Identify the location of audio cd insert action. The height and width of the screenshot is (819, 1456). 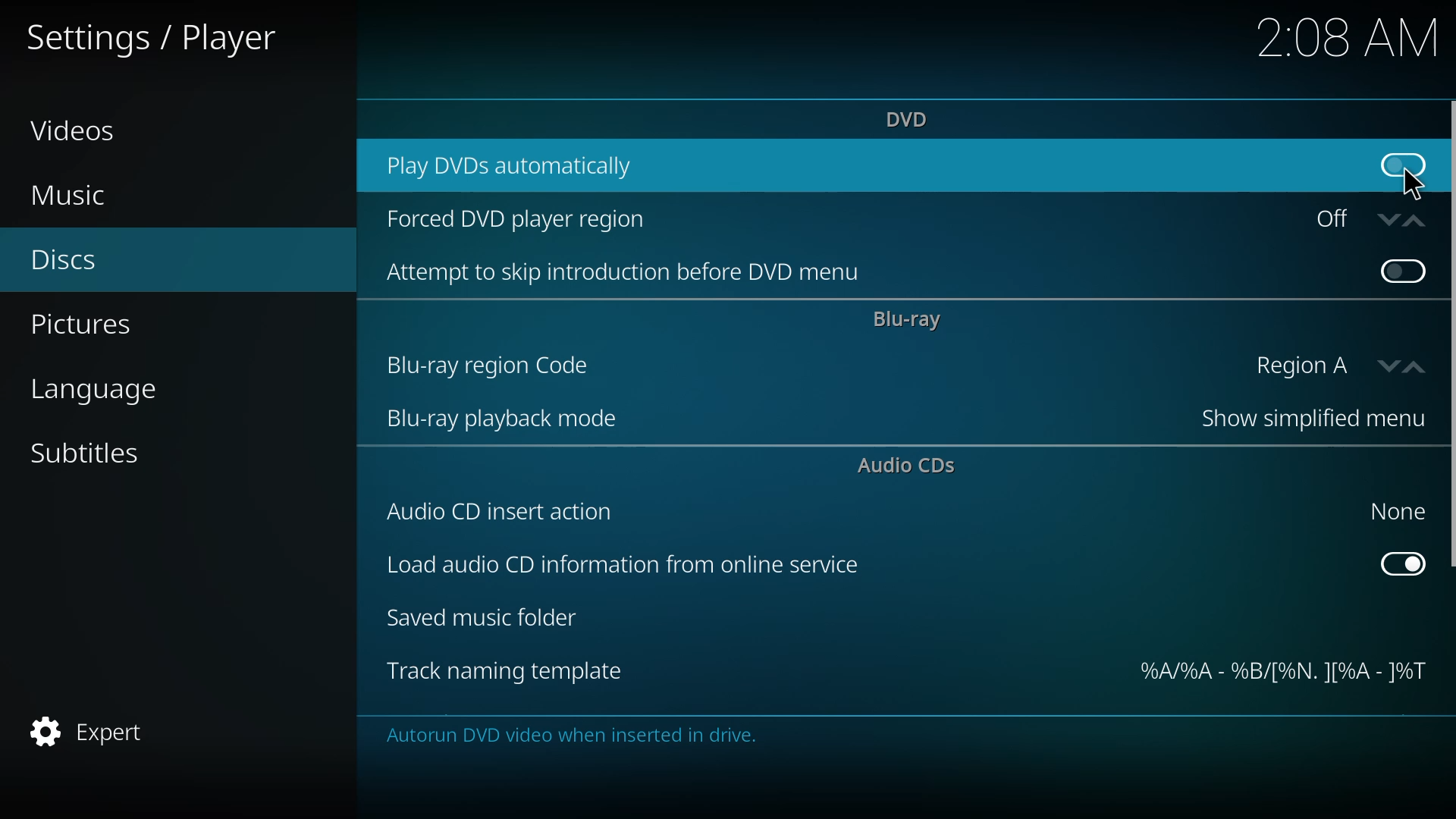
(503, 511).